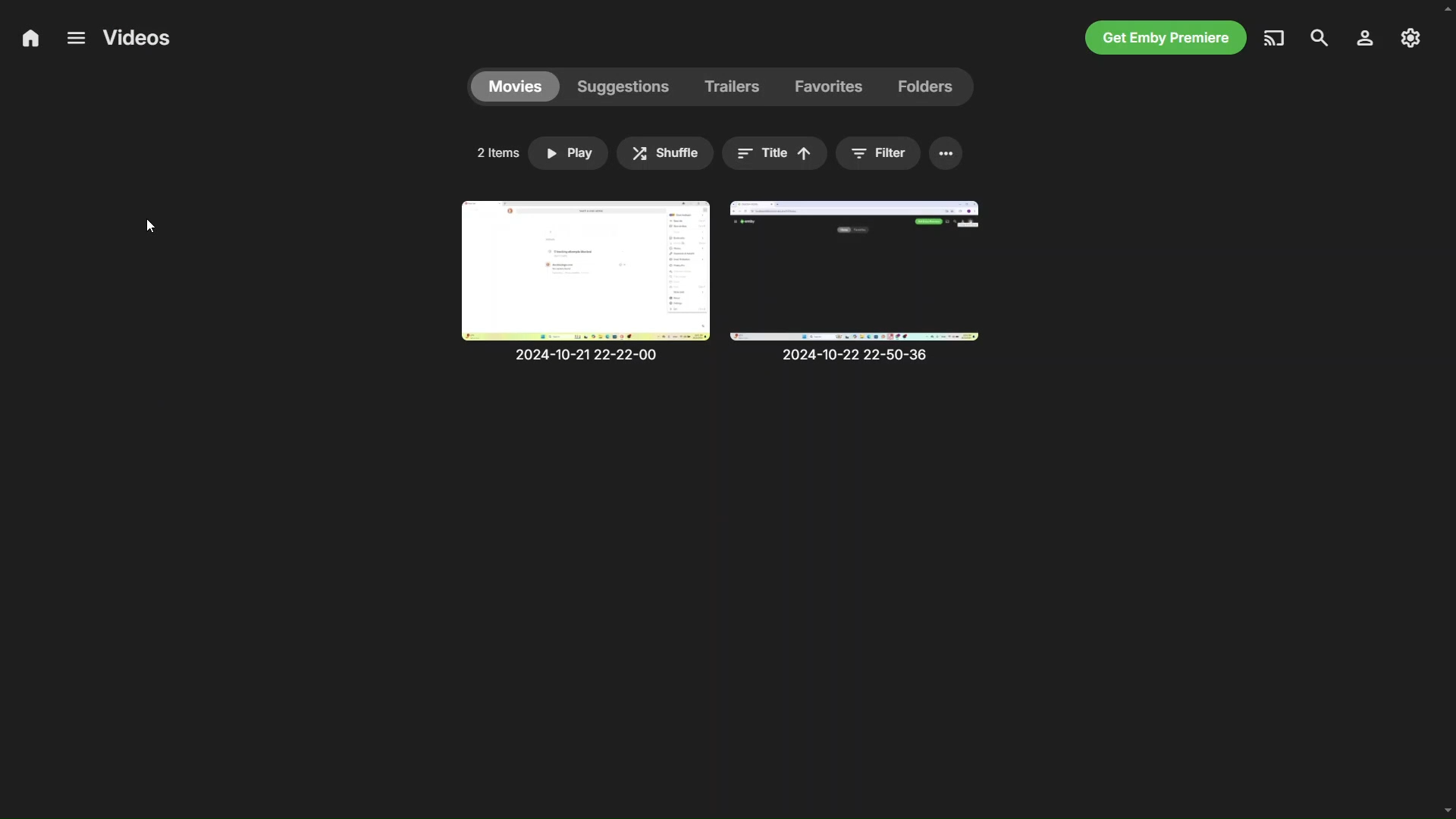 The image size is (1456, 819). Describe the element at coordinates (833, 86) in the screenshot. I see `favorites` at that location.